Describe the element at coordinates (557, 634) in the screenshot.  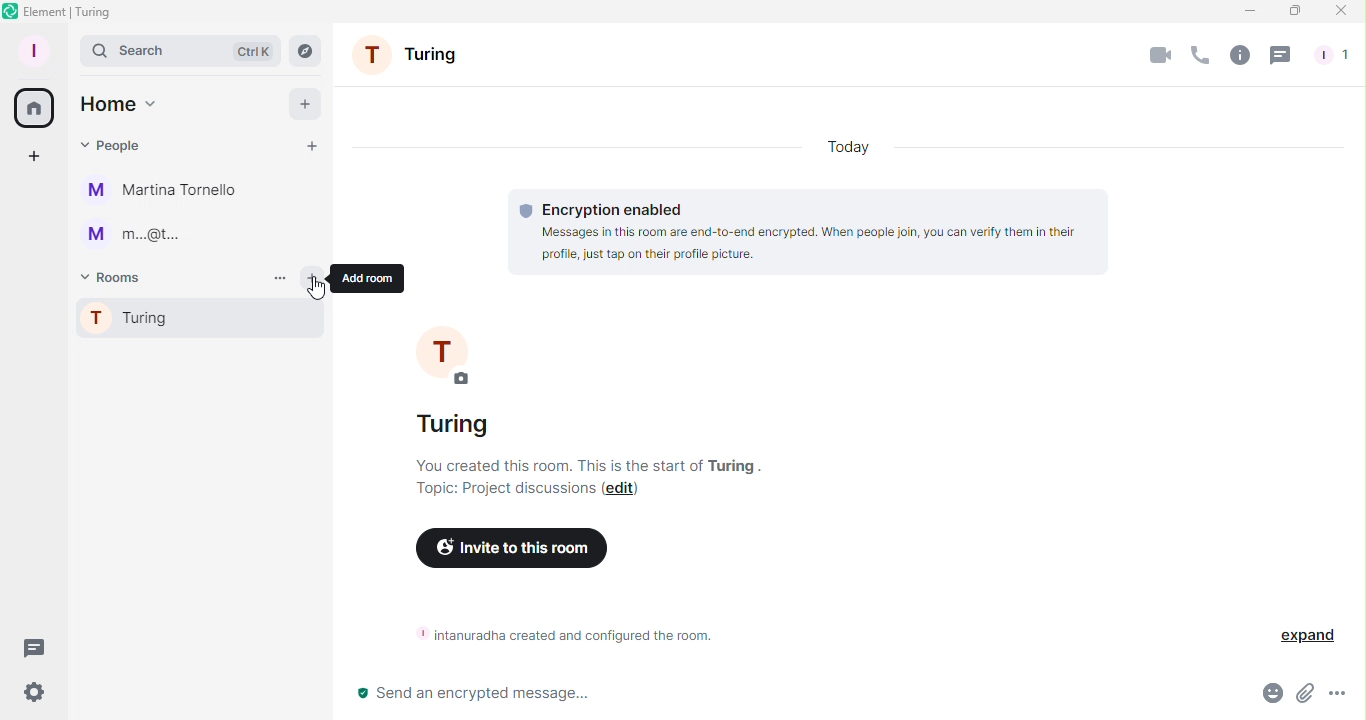
I see `Information` at that location.